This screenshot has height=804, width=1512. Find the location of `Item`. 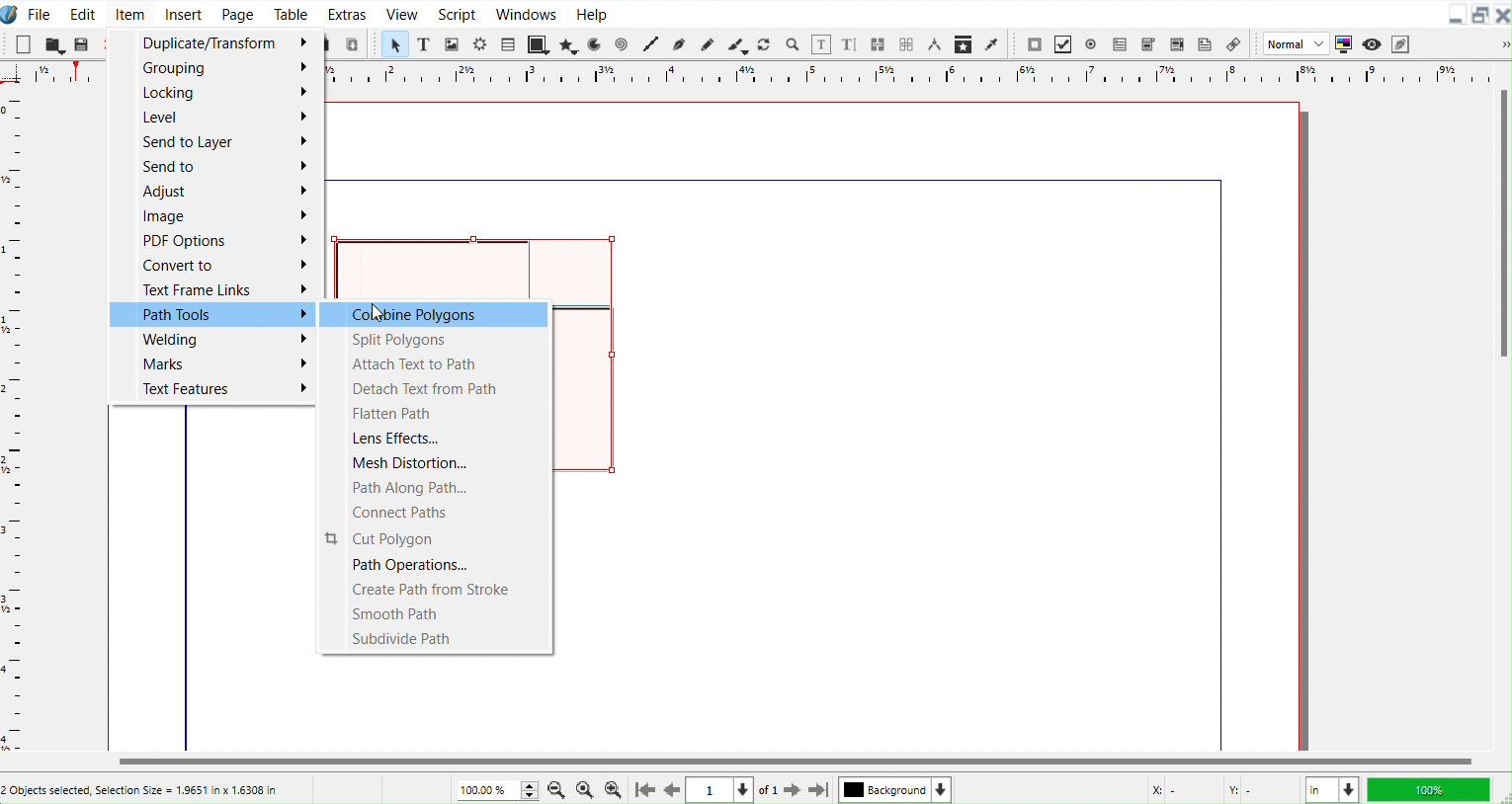

Item is located at coordinates (129, 12).